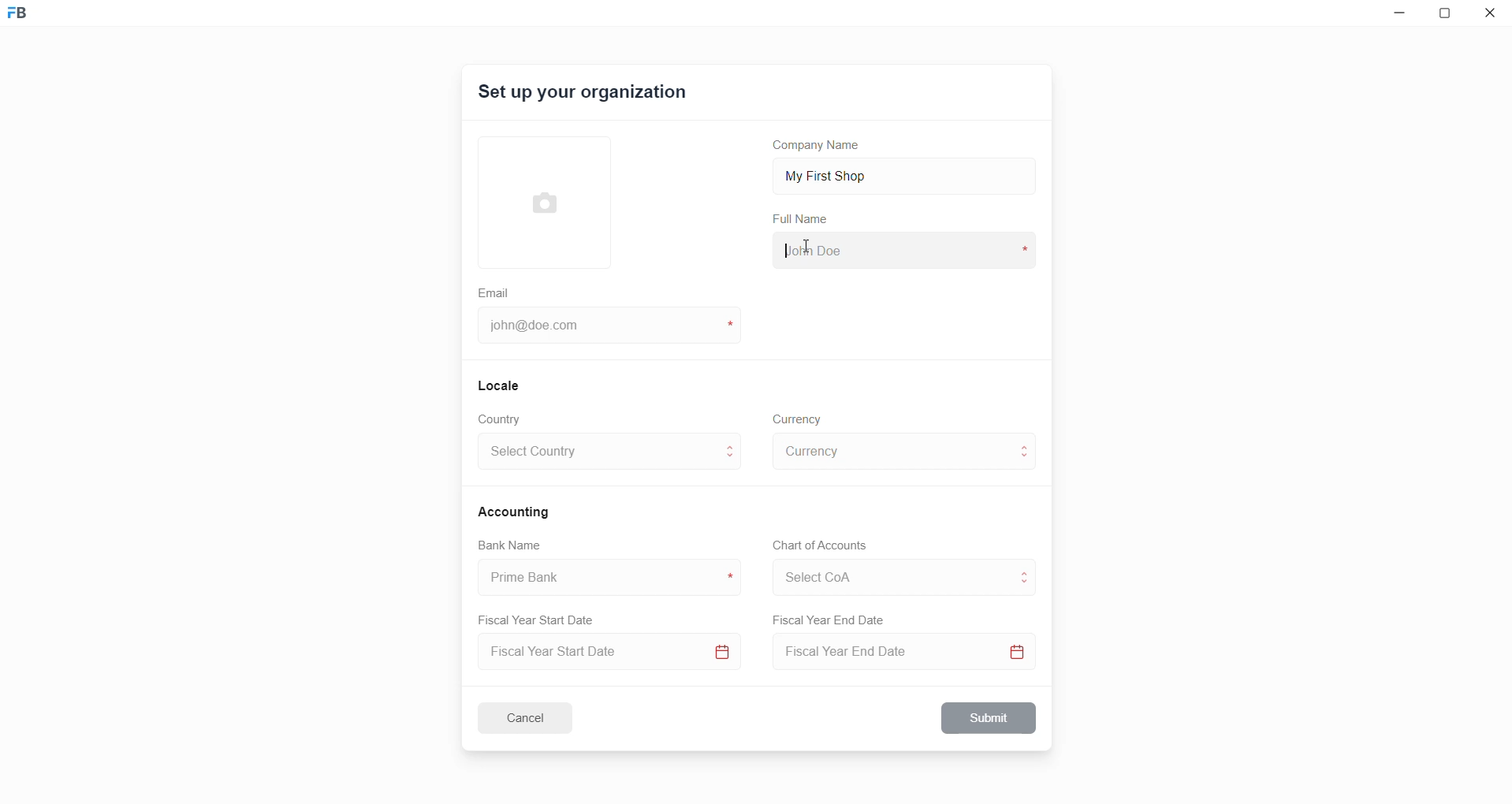 The height and width of the screenshot is (804, 1512). What do you see at coordinates (891, 450) in the screenshot?
I see `select currency` at bounding box center [891, 450].